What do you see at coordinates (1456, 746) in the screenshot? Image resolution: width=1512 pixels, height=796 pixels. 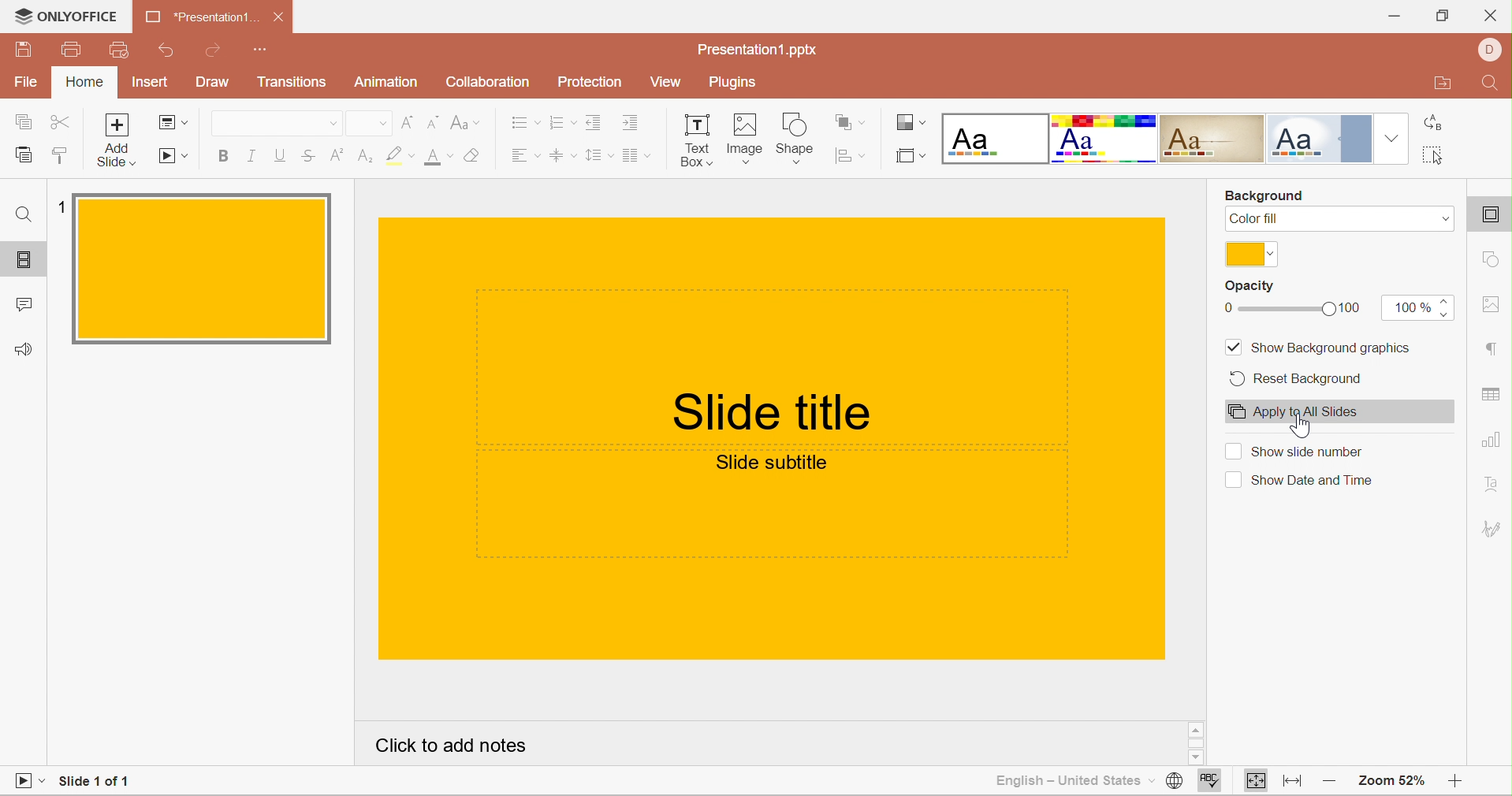 I see `Scroll Bar` at bounding box center [1456, 746].